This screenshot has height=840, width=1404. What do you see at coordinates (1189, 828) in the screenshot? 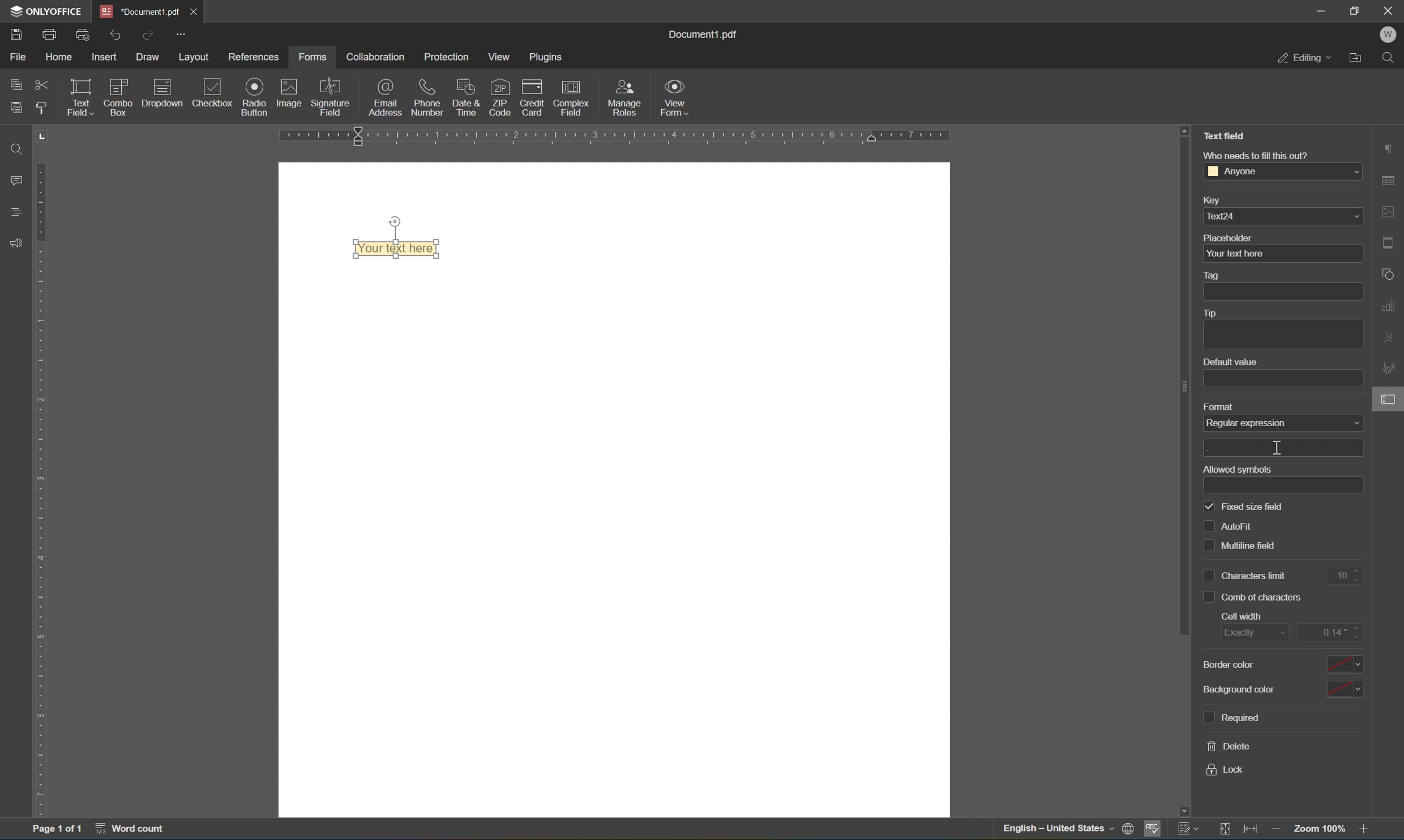
I see `track changes` at bounding box center [1189, 828].